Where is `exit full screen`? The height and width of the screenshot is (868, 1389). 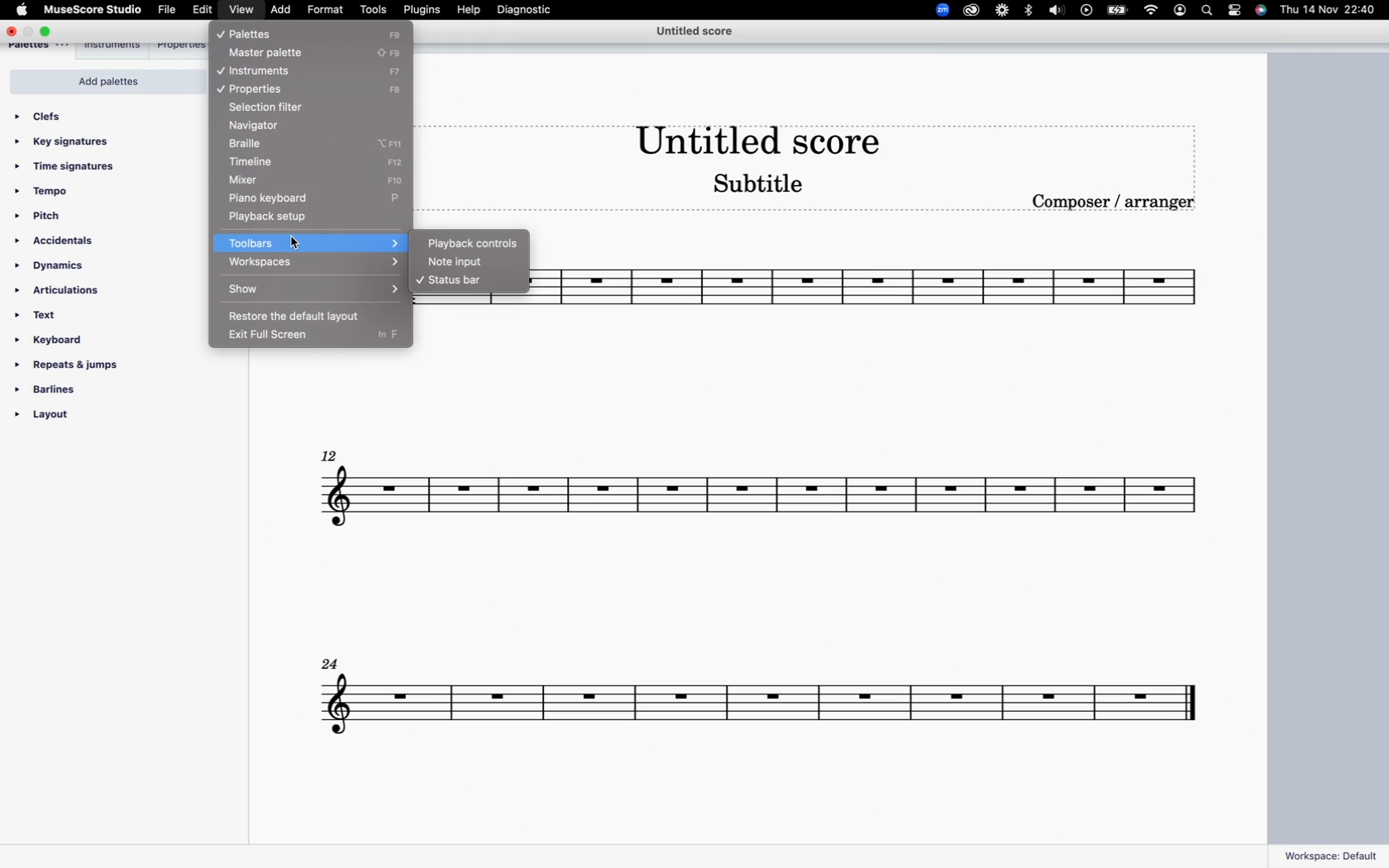
exit full screen is located at coordinates (278, 337).